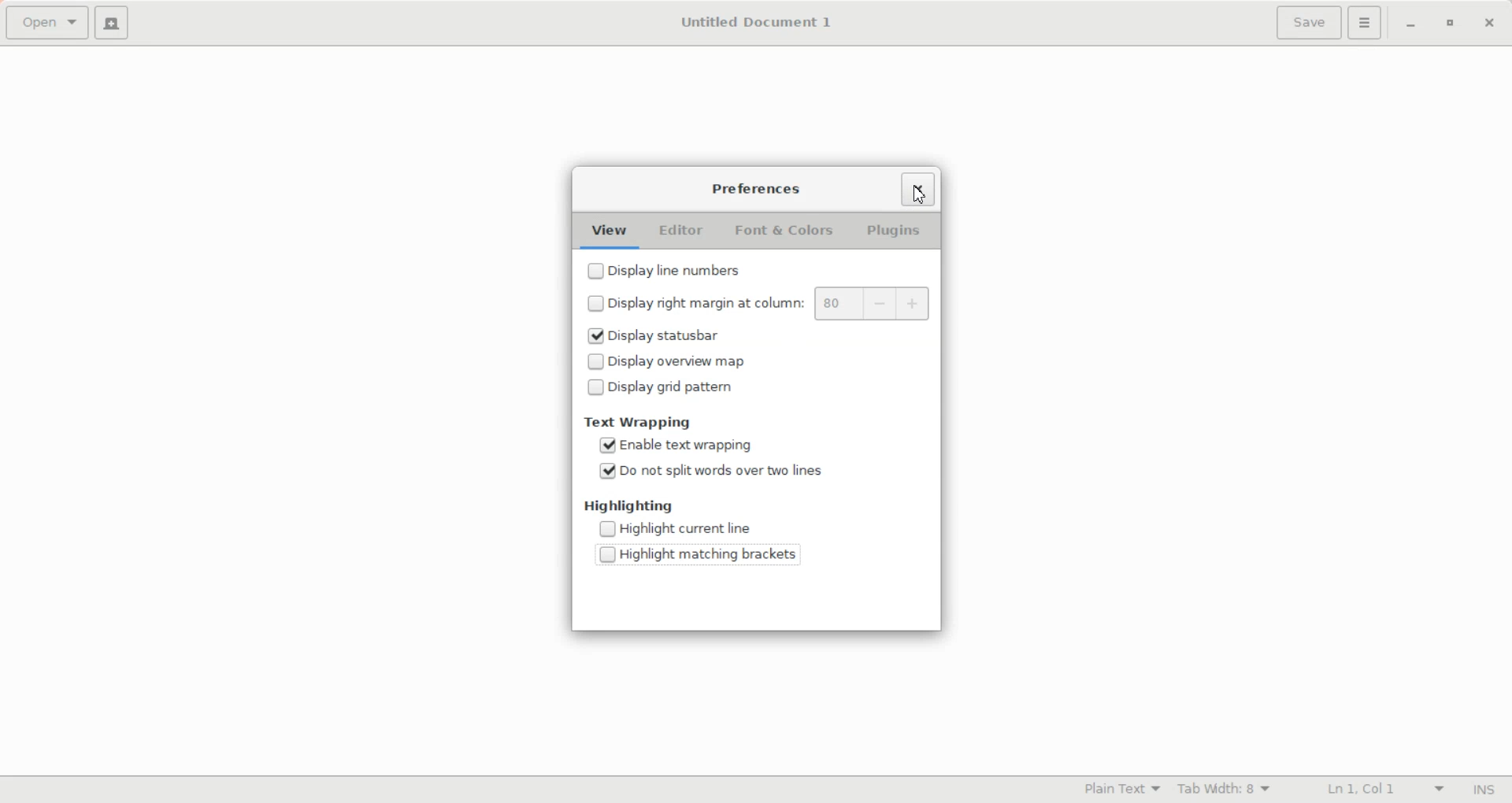 Image resolution: width=1512 pixels, height=803 pixels. I want to click on 80, so click(838, 304).